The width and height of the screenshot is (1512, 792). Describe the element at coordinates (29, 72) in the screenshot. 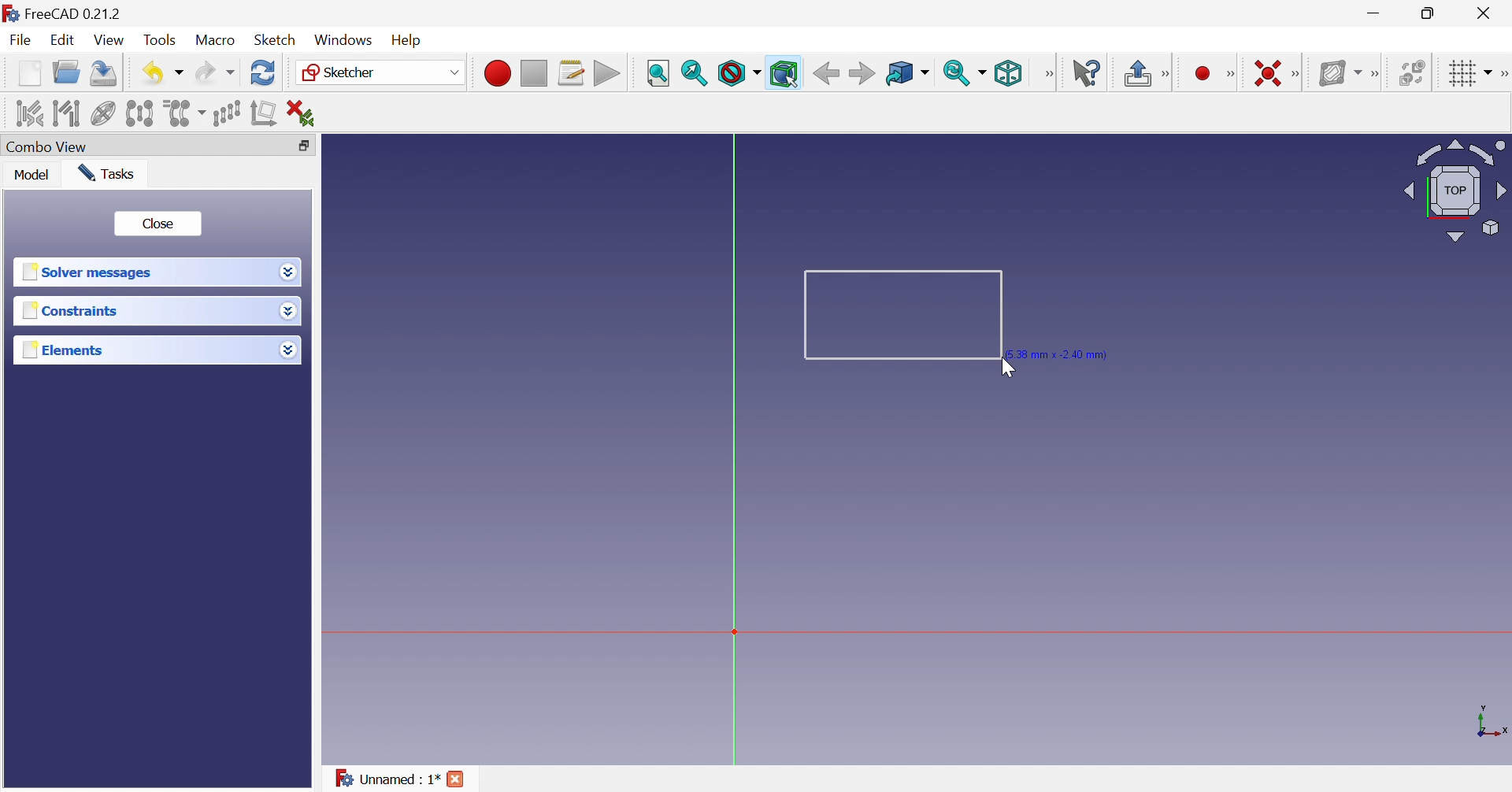

I see `New` at that location.